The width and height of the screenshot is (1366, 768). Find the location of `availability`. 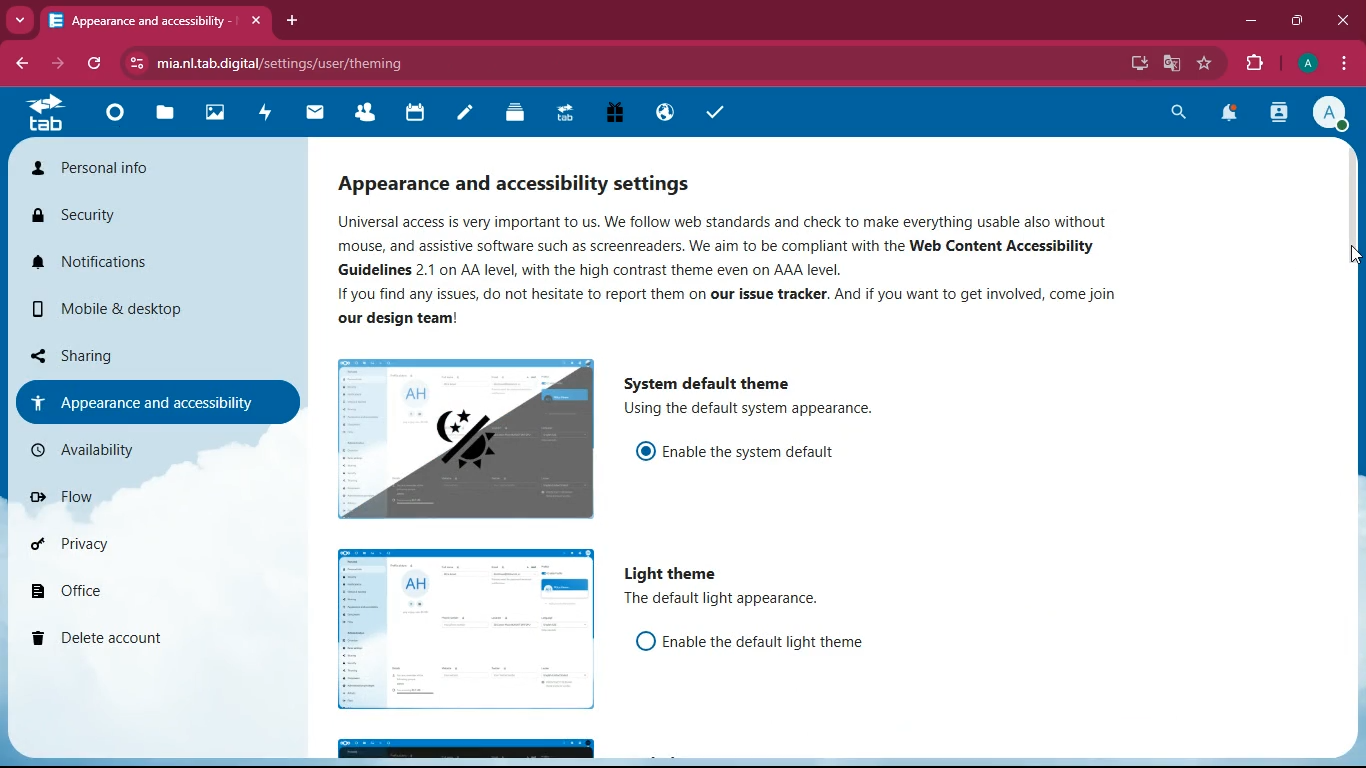

availability is located at coordinates (137, 456).